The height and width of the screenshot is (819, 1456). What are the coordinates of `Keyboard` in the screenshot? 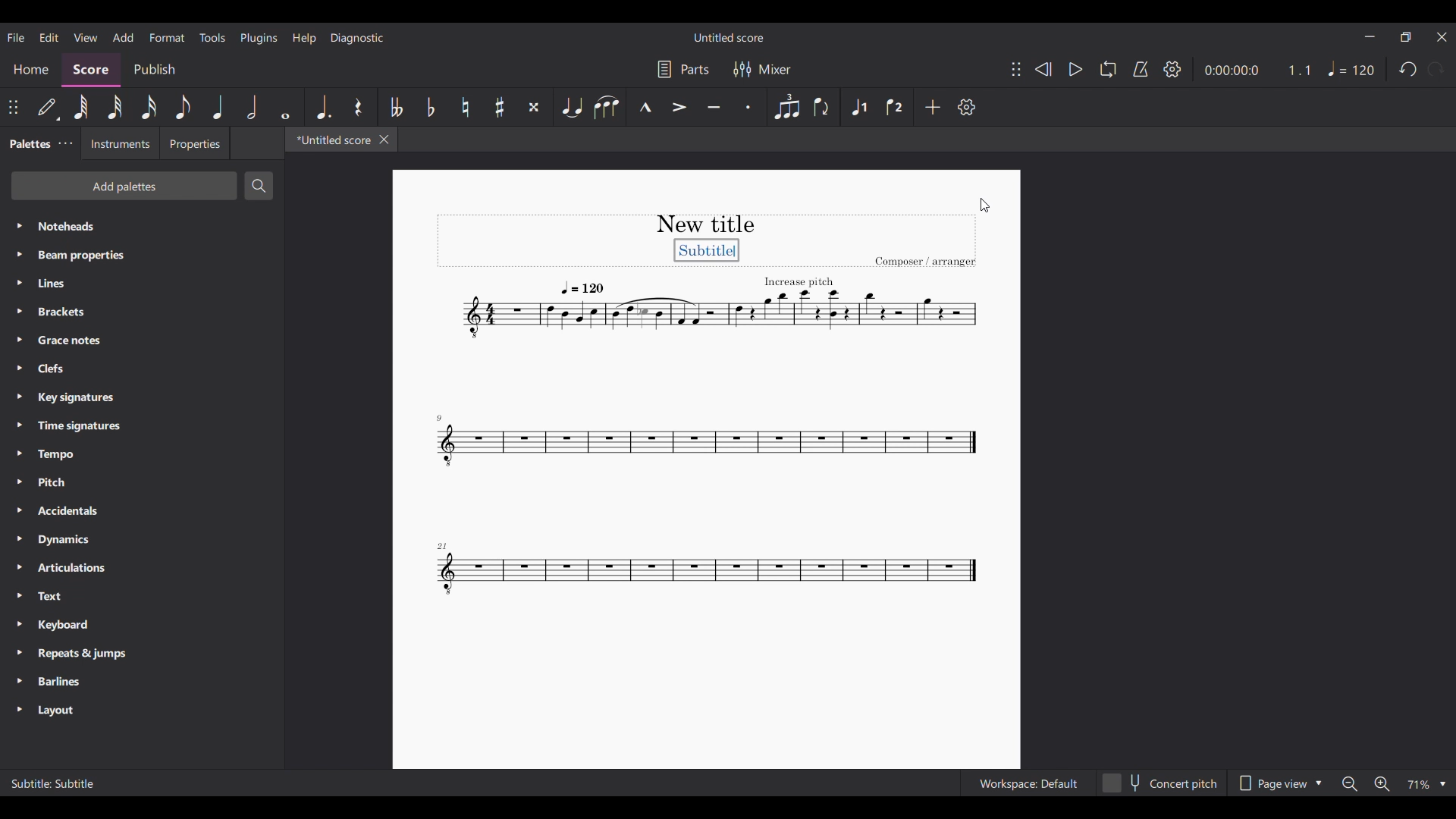 It's located at (142, 625).